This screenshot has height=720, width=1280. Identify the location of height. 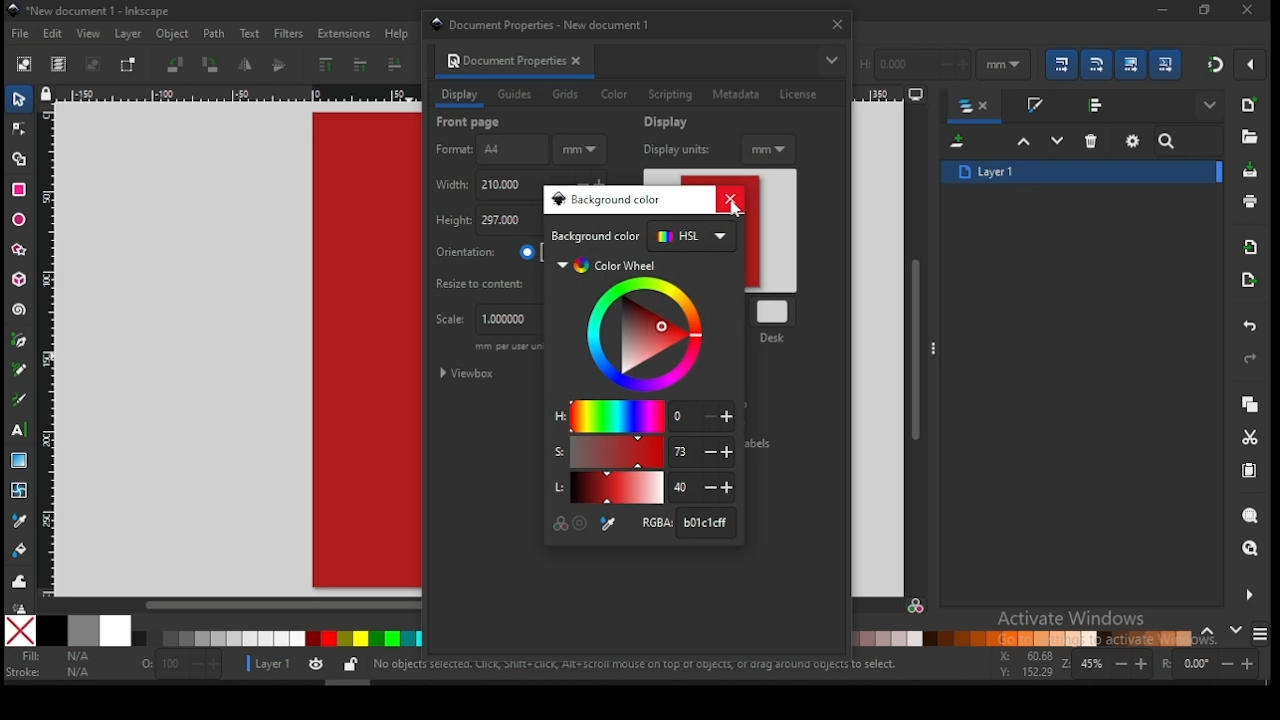
(486, 222).